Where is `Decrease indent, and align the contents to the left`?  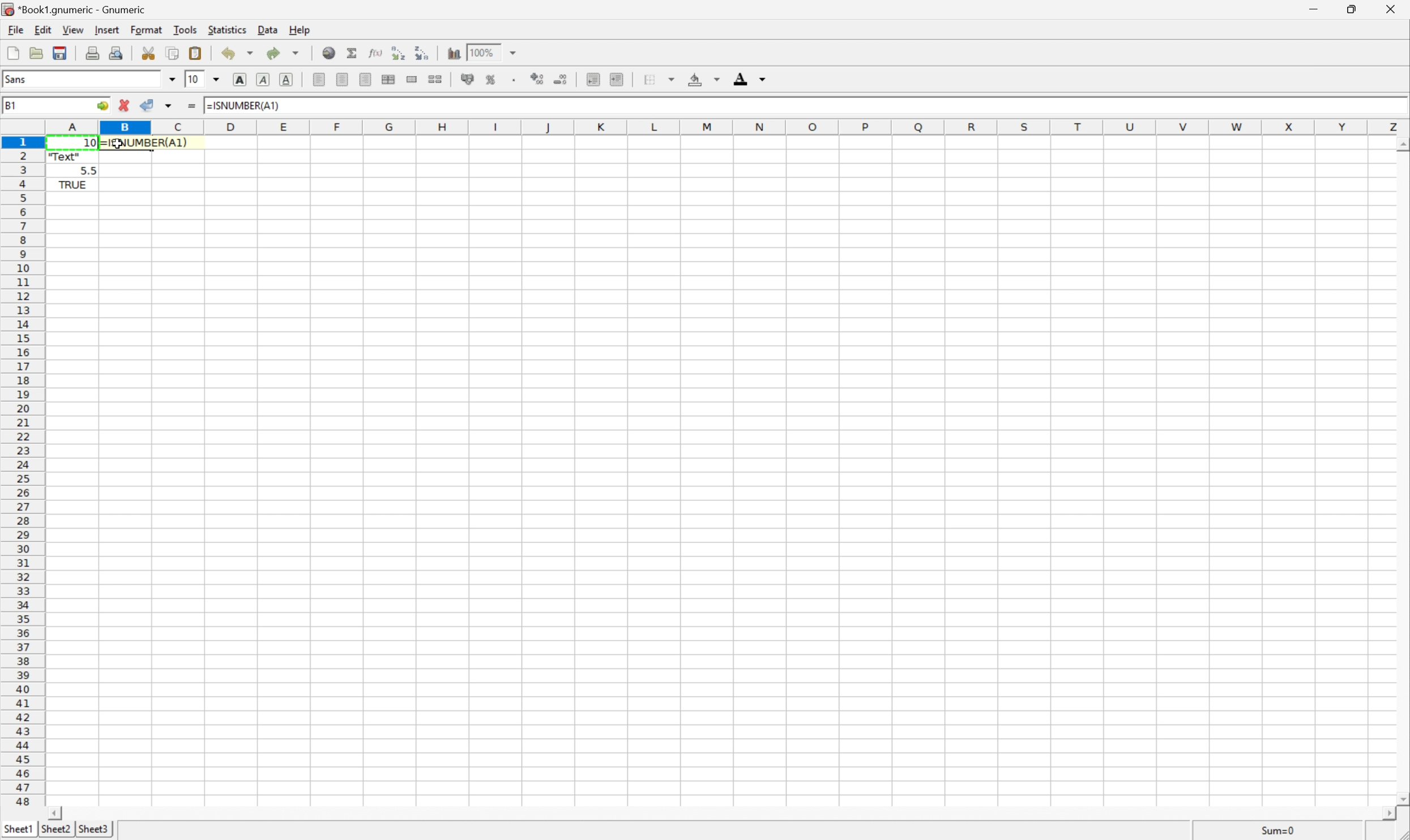
Decrease indent, and align the contents to the left is located at coordinates (591, 79).